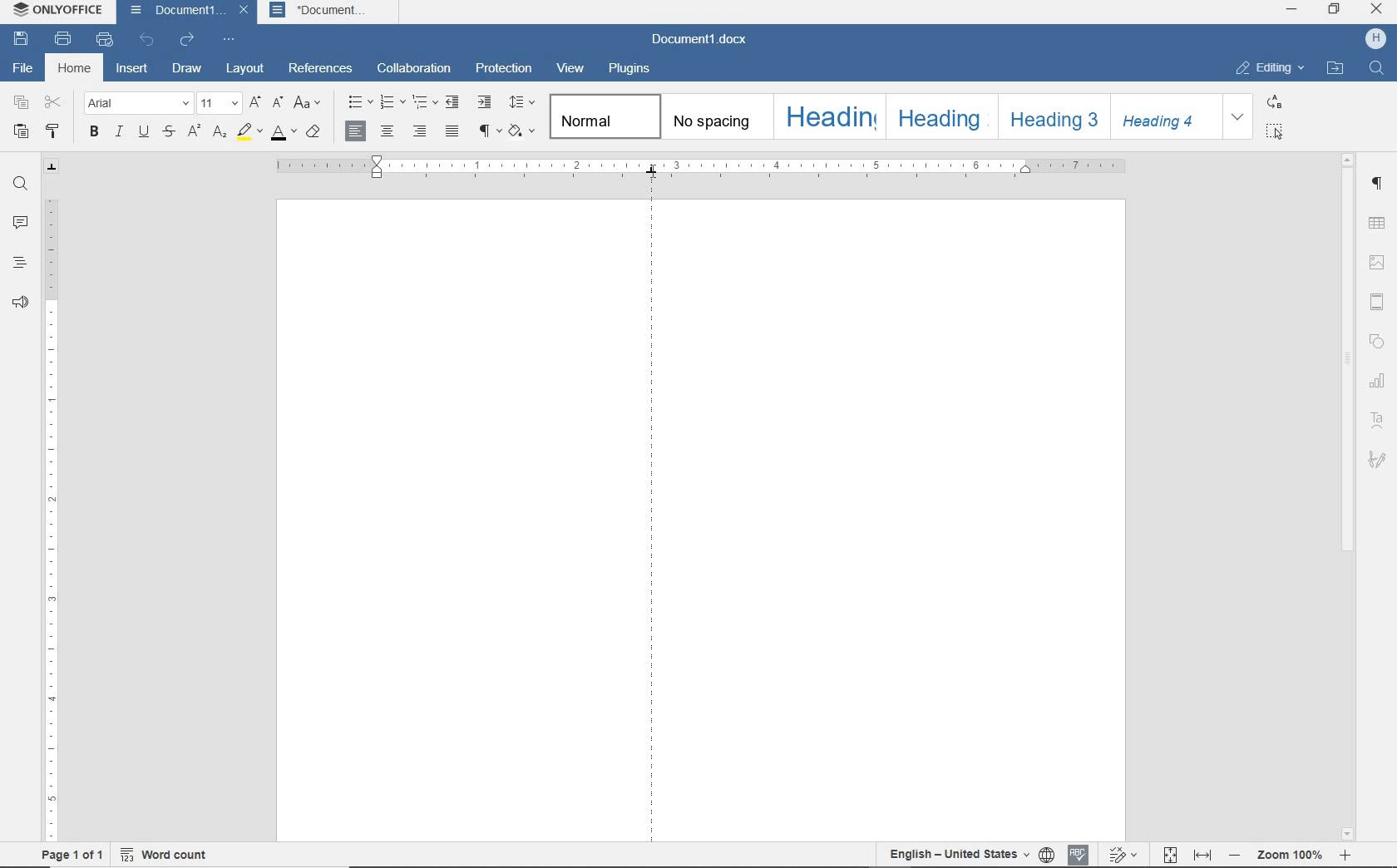 The height and width of the screenshot is (868, 1397). What do you see at coordinates (416, 69) in the screenshot?
I see `COLLABORATION` at bounding box center [416, 69].